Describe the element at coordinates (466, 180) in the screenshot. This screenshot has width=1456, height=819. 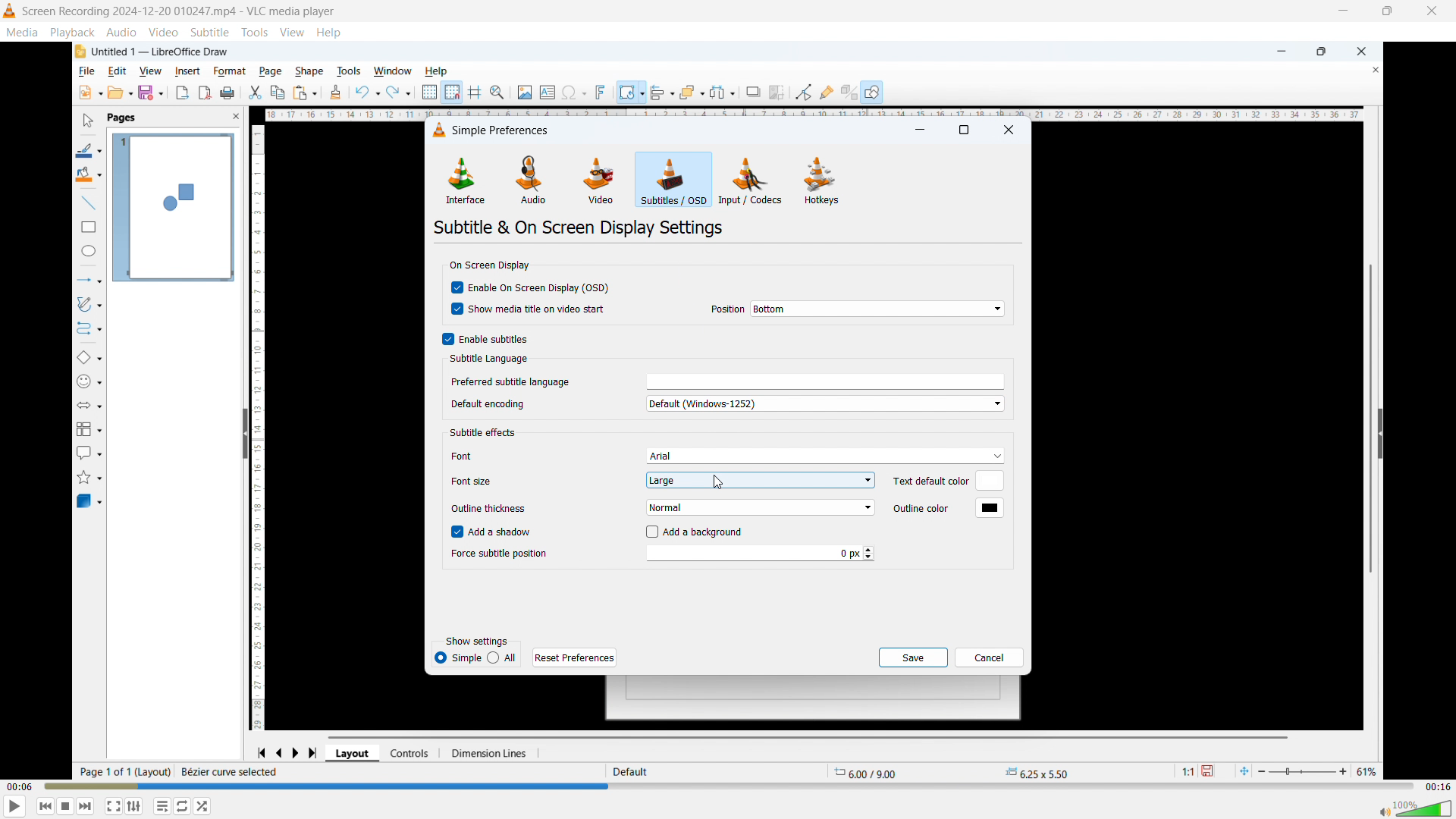
I see `Interface ` at that location.